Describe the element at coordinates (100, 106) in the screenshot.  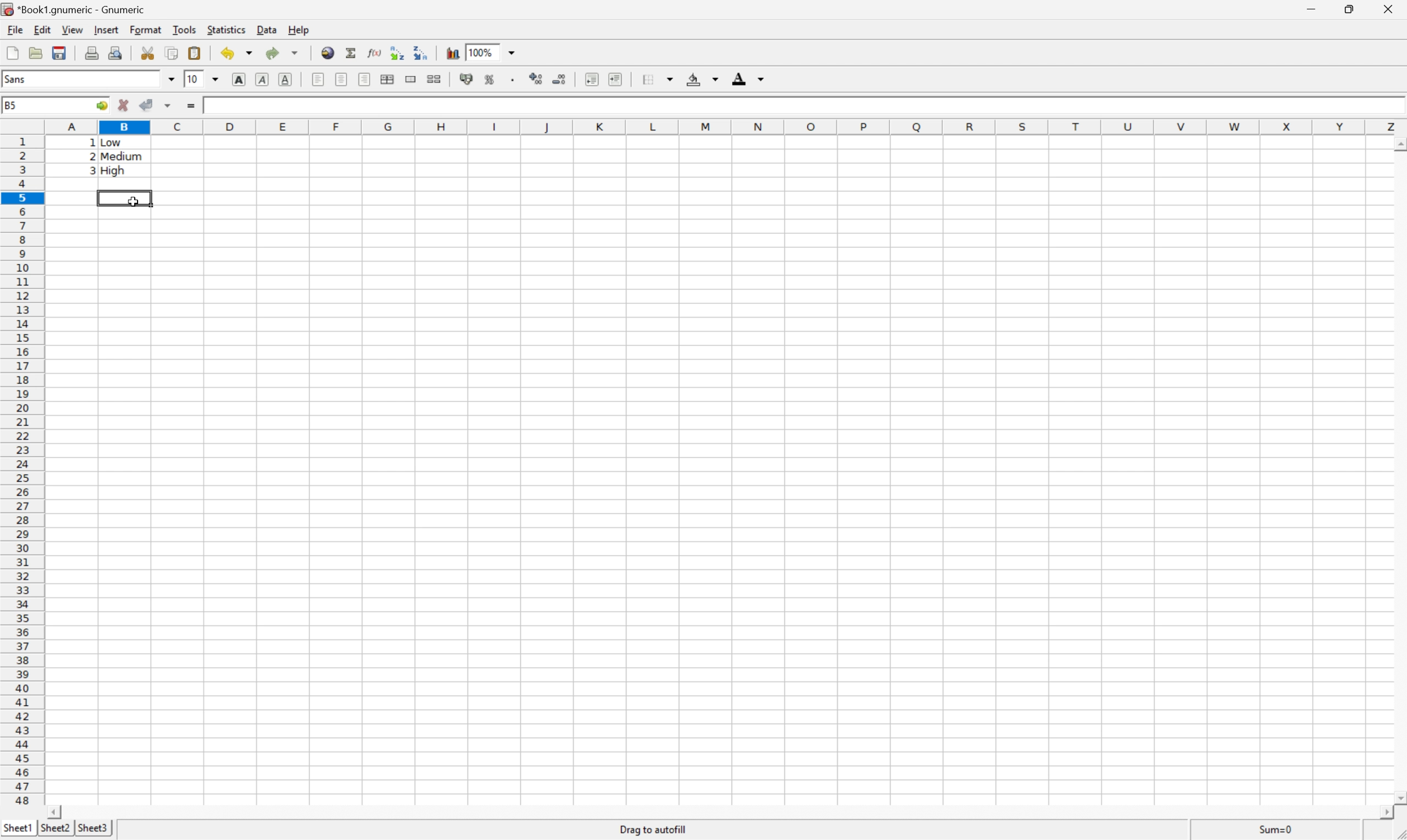
I see `Go to` at that location.